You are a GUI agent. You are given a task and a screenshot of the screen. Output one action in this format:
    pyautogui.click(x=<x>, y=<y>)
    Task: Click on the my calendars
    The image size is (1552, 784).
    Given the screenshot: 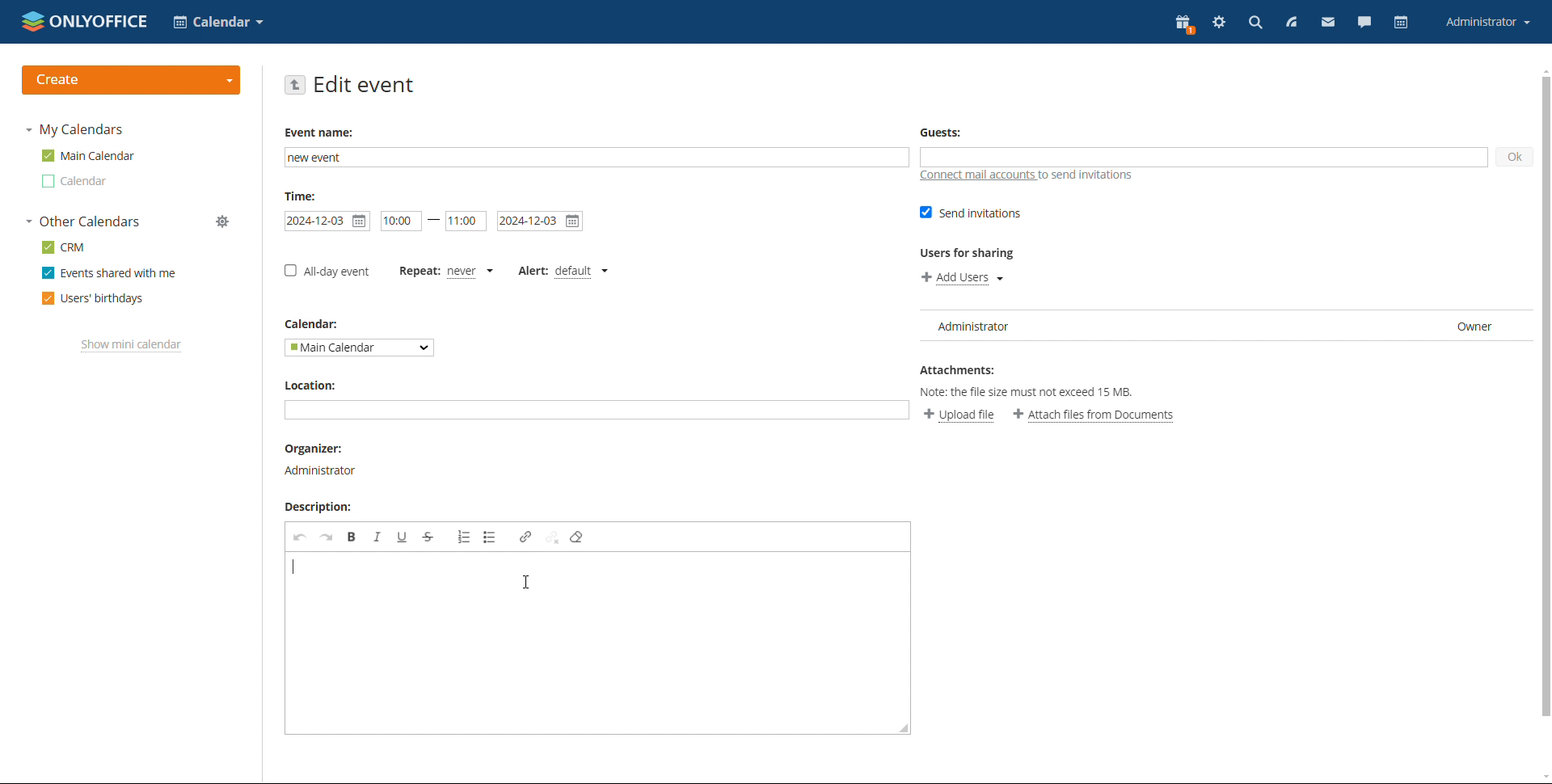 What is the action you would take?
    pyautogui.click(x=77, y=129)
    